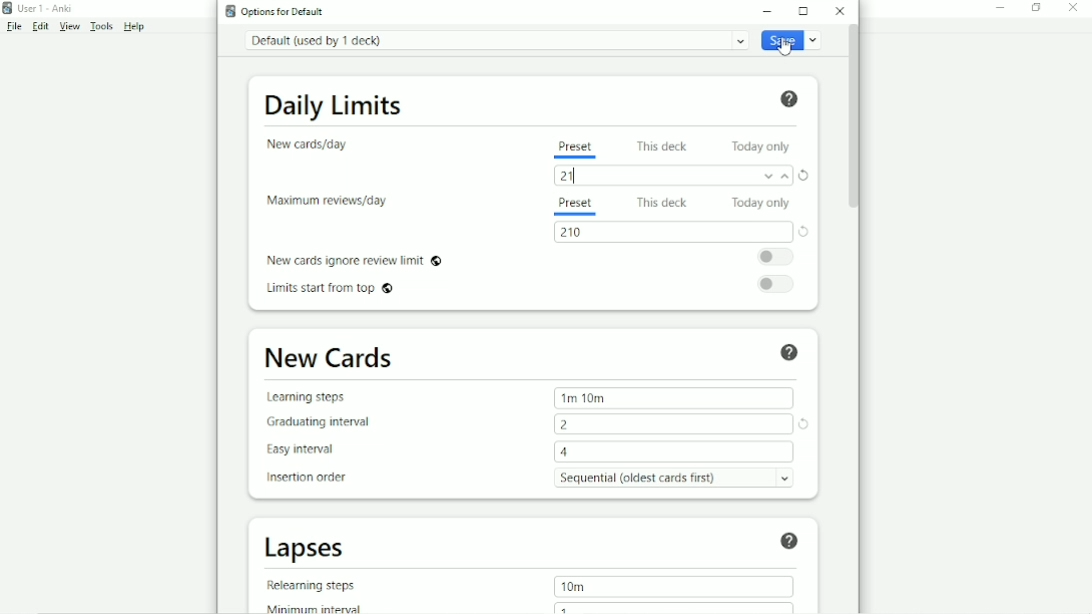 The width and height of the screenshot is (1092, 614). I want to click on Lapses, so click(306, 548).